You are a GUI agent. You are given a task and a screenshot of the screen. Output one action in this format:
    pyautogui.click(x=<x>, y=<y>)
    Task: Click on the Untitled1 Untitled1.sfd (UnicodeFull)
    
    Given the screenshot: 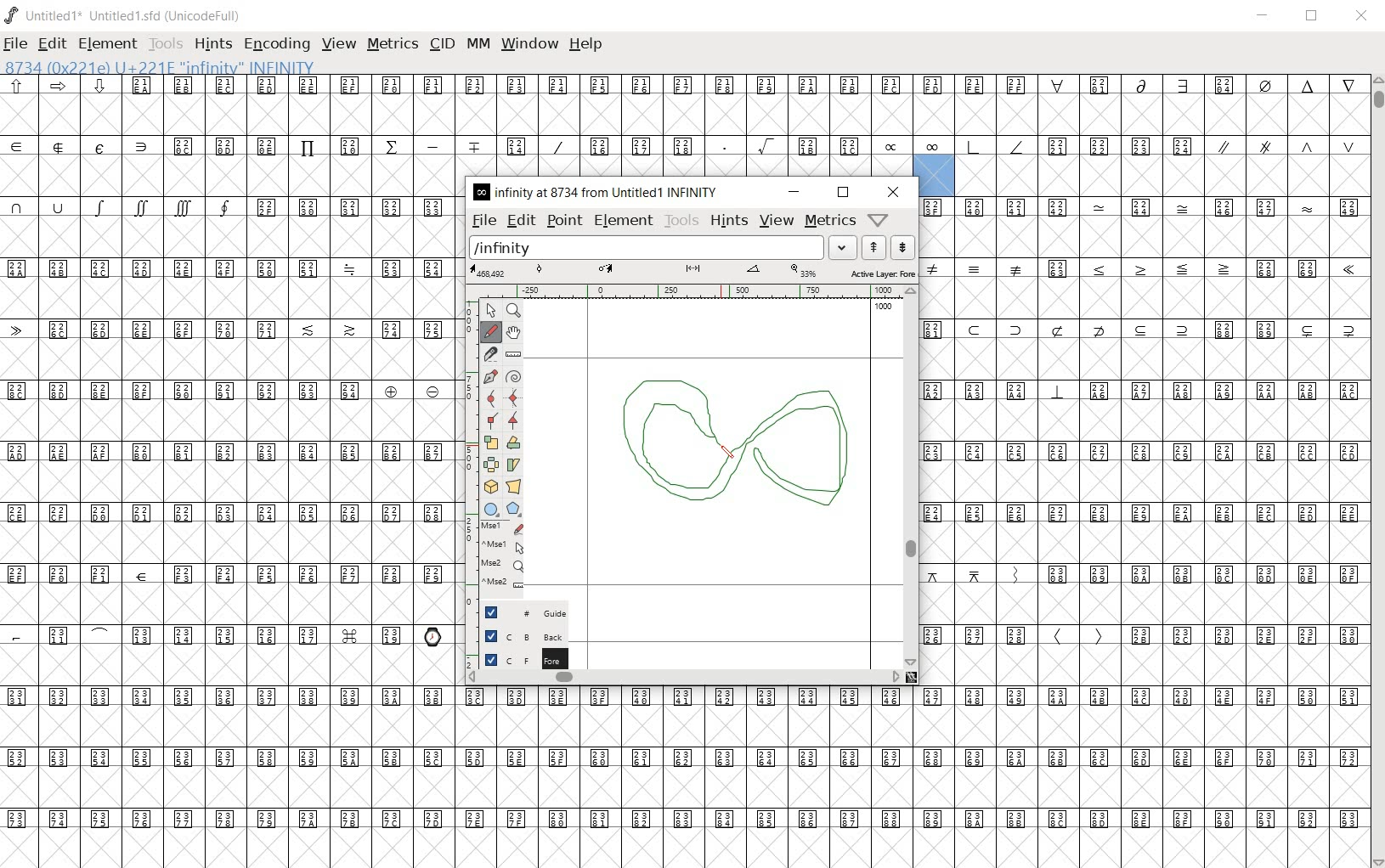 What is the action you would take?
    pyautogui.click(x=128, y=20)
    